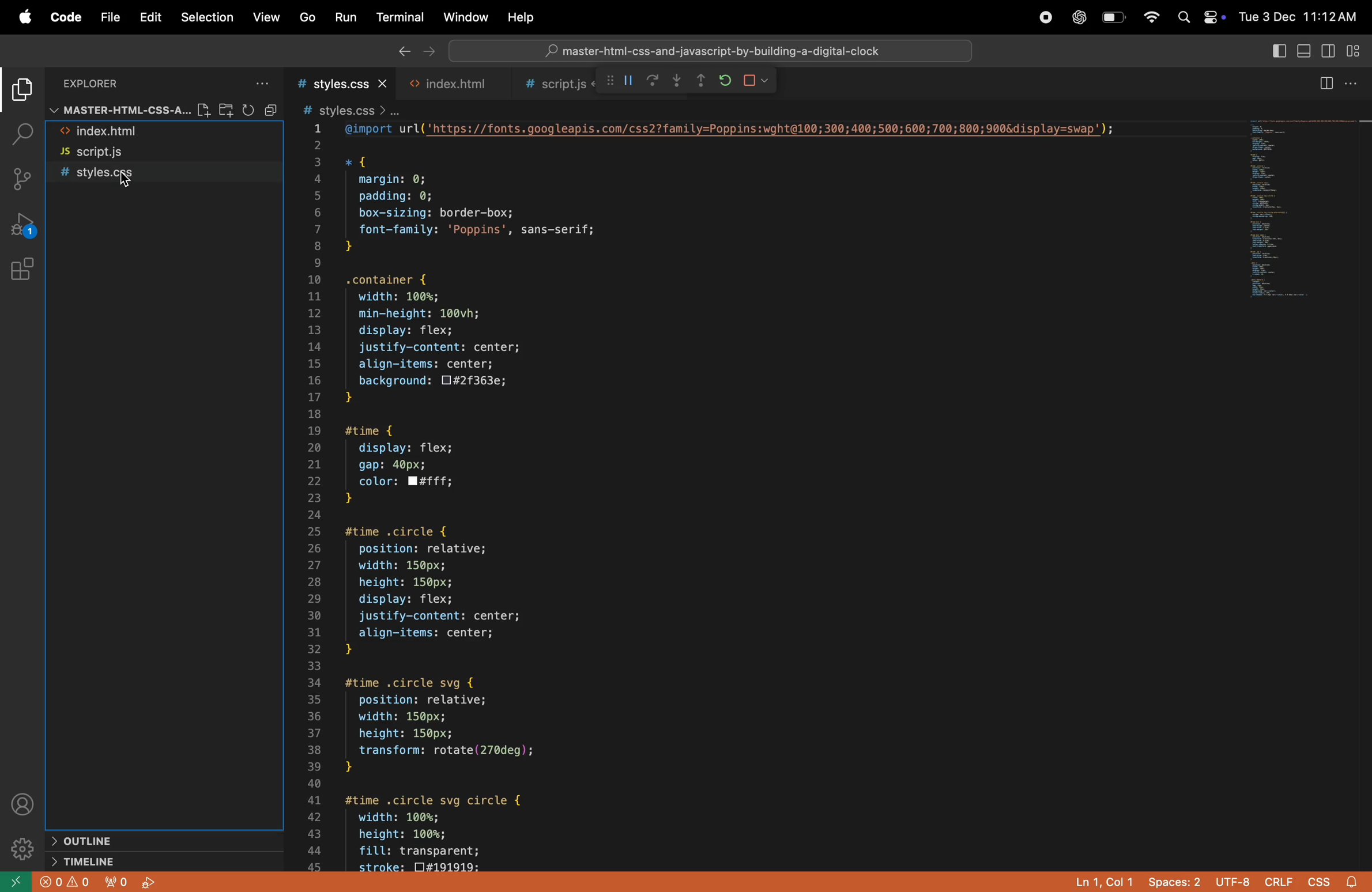 The image size is (1372, 892). Describe the element at coordinates (629, 80) in the screenshot. I see `pause` at that location.